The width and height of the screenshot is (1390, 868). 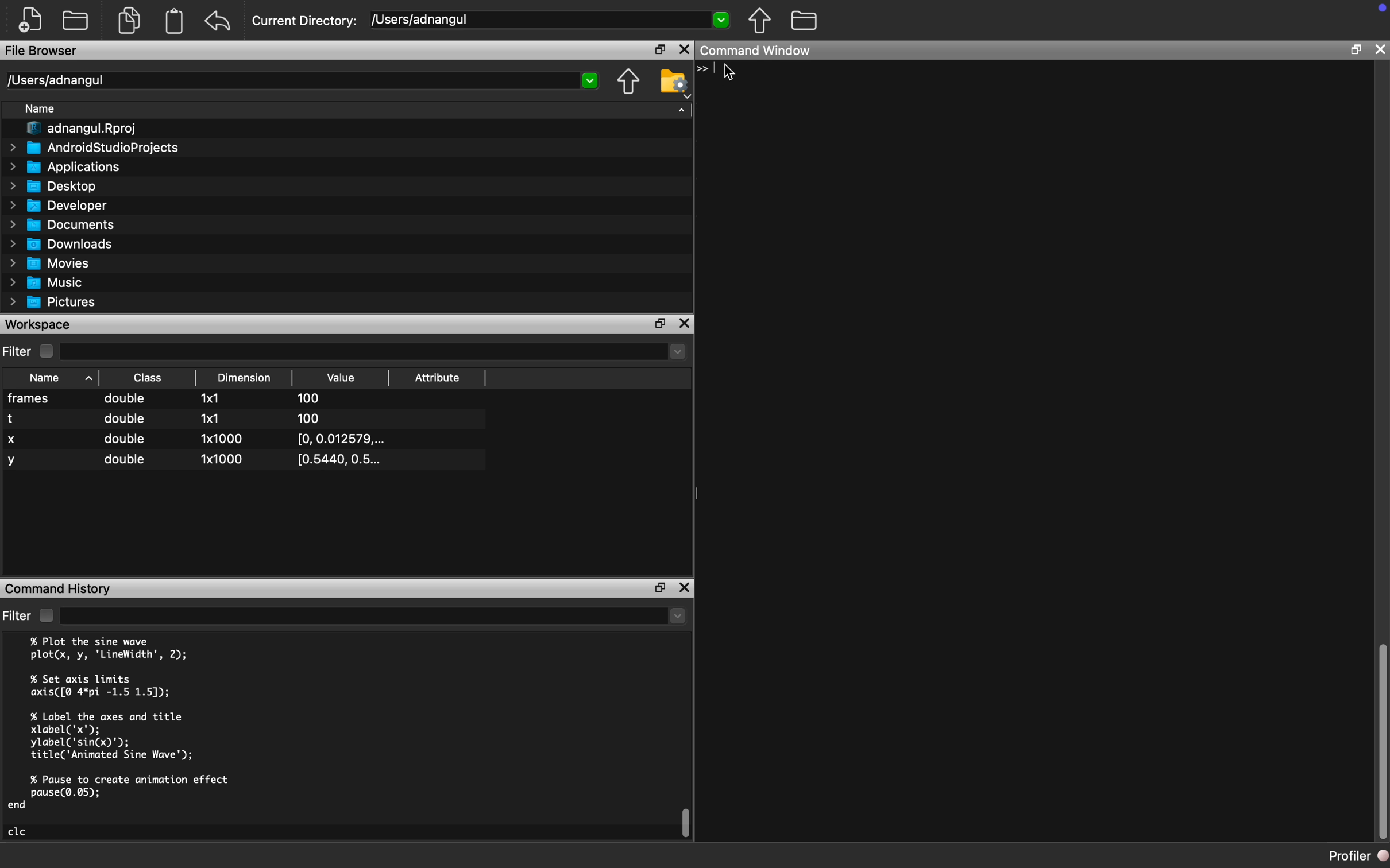 I want to click on Close, so click(x=1377, y=51).